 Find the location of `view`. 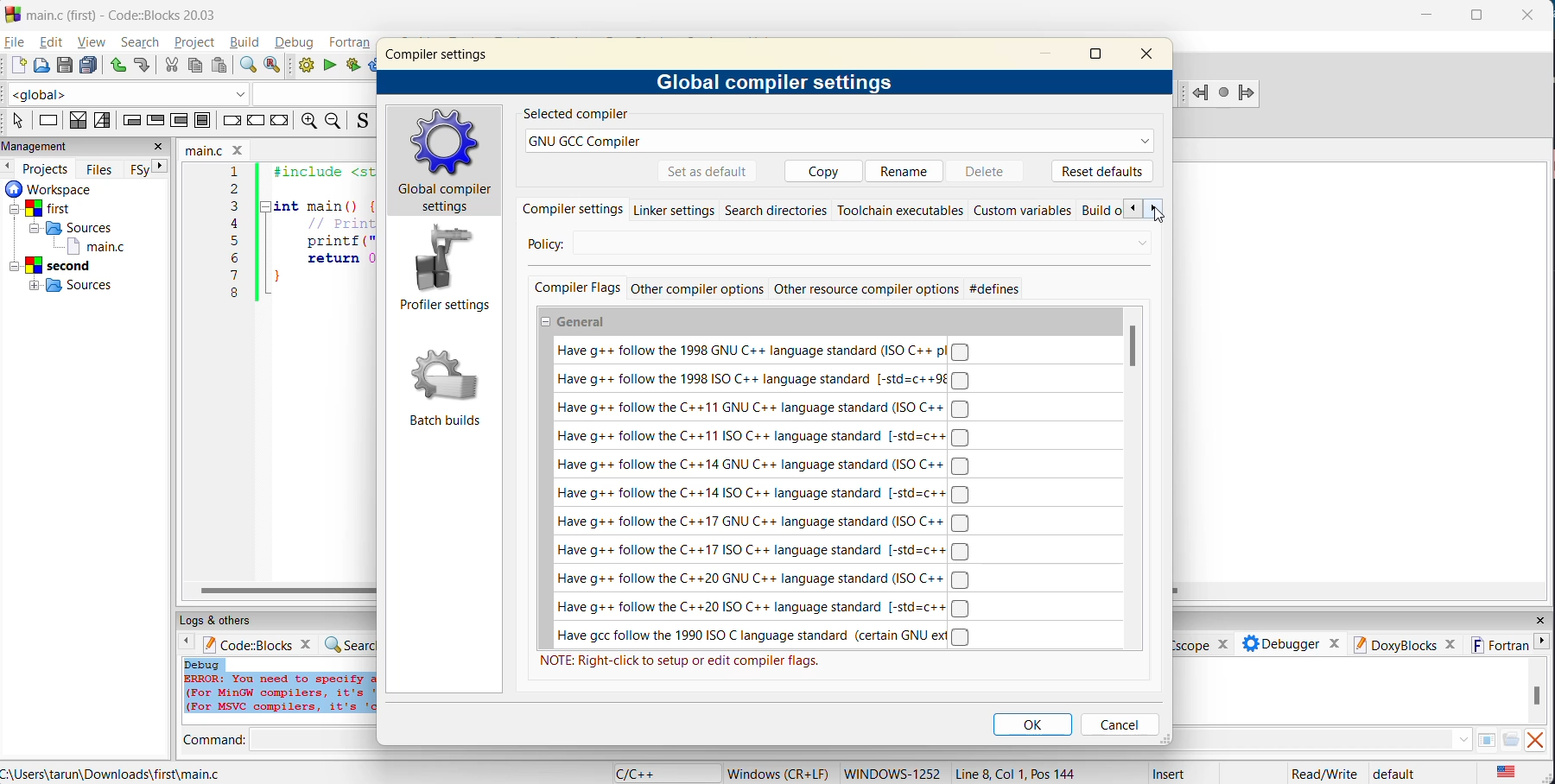

view is located at coordinates (91, 41).